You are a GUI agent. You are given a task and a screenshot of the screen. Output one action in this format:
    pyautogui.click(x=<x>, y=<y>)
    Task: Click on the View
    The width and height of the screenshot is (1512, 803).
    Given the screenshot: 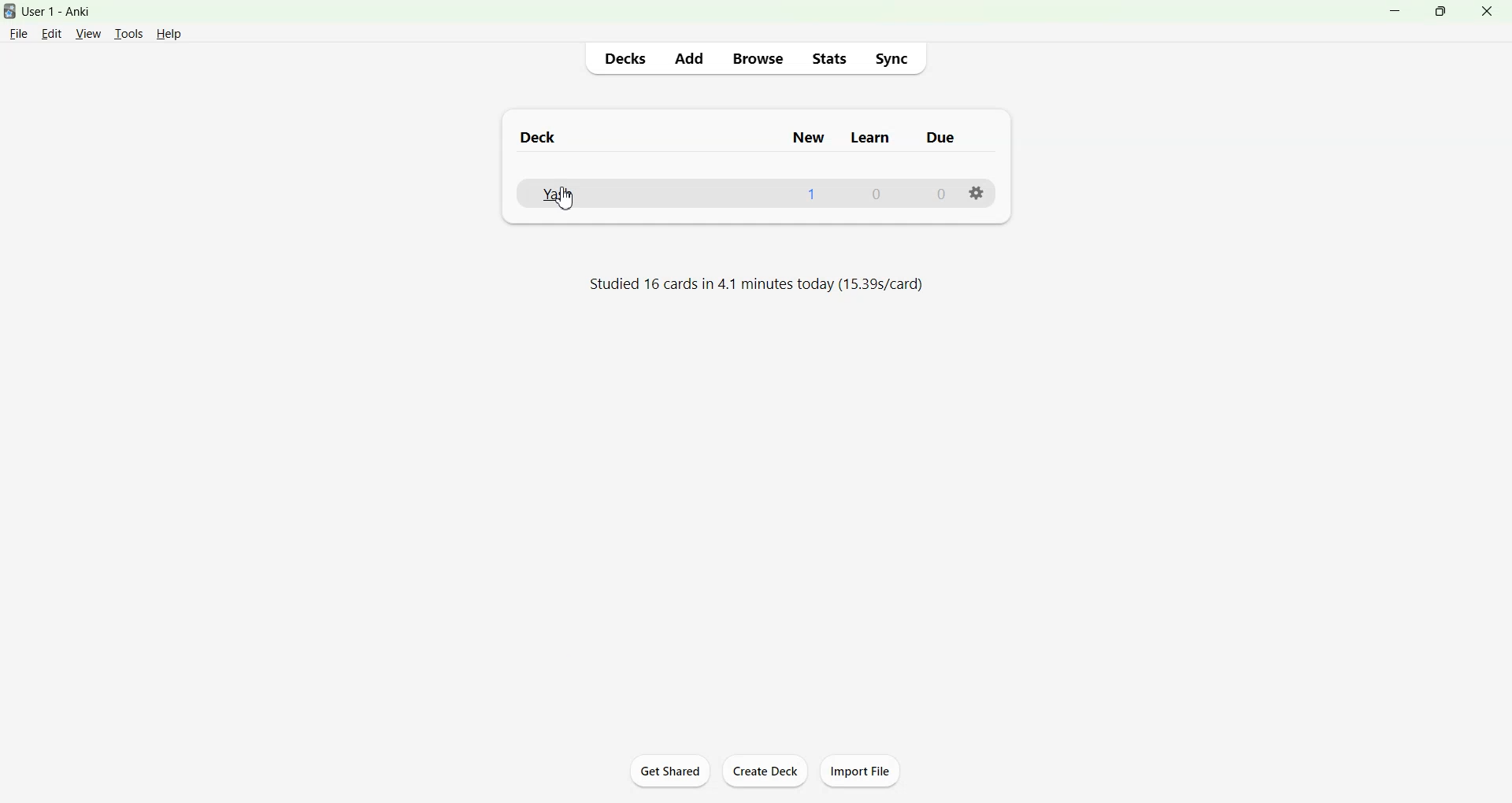 What is the action you would take?
    pyautogui.click(x=88, y=33)
    